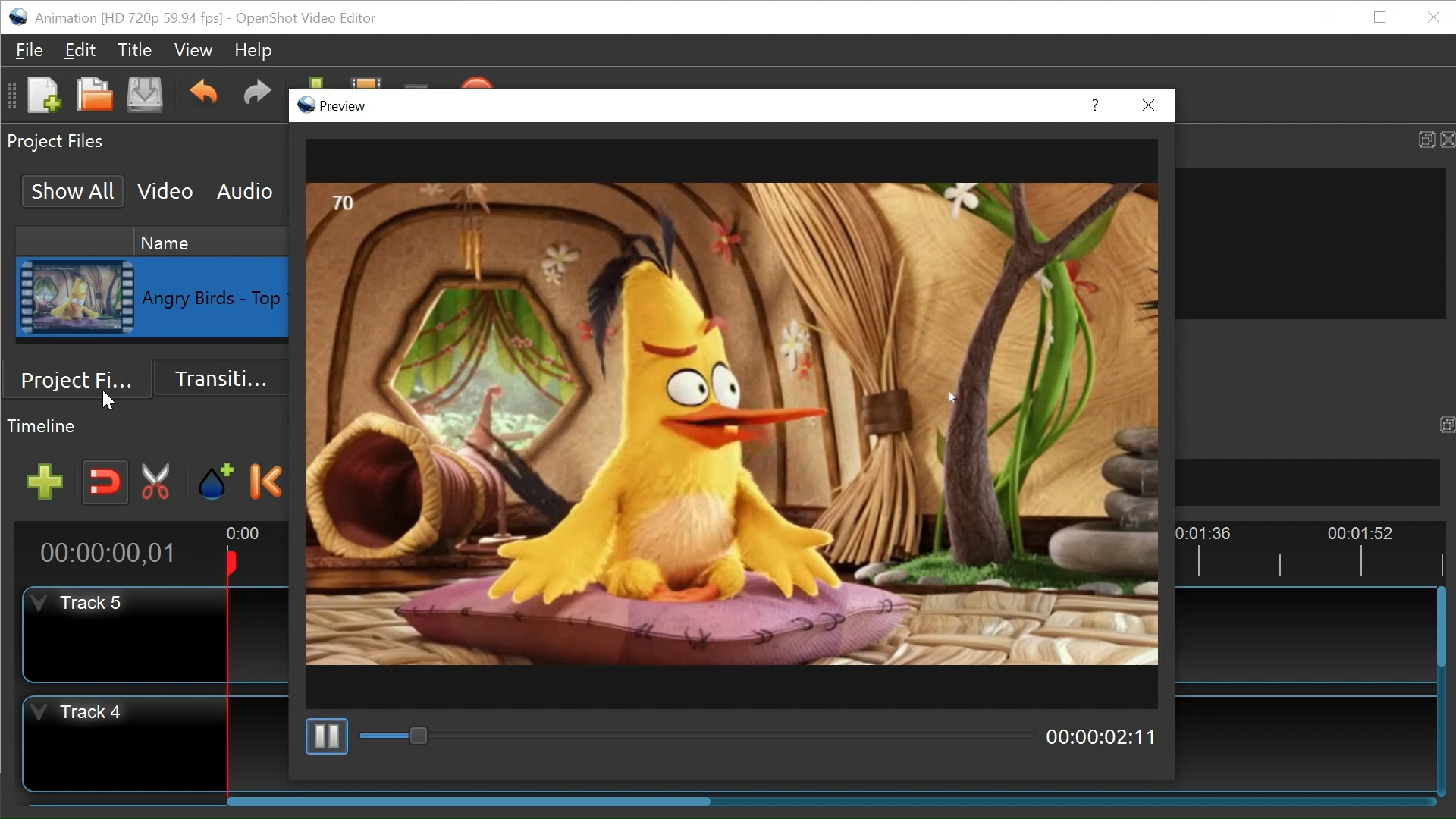 Image resolution: width=1456 pixels, height=819 pixels. What do you see at coordinates (268, 482) in the screenshot?
I see `Previous Marker` at bounding box center [268, 482].